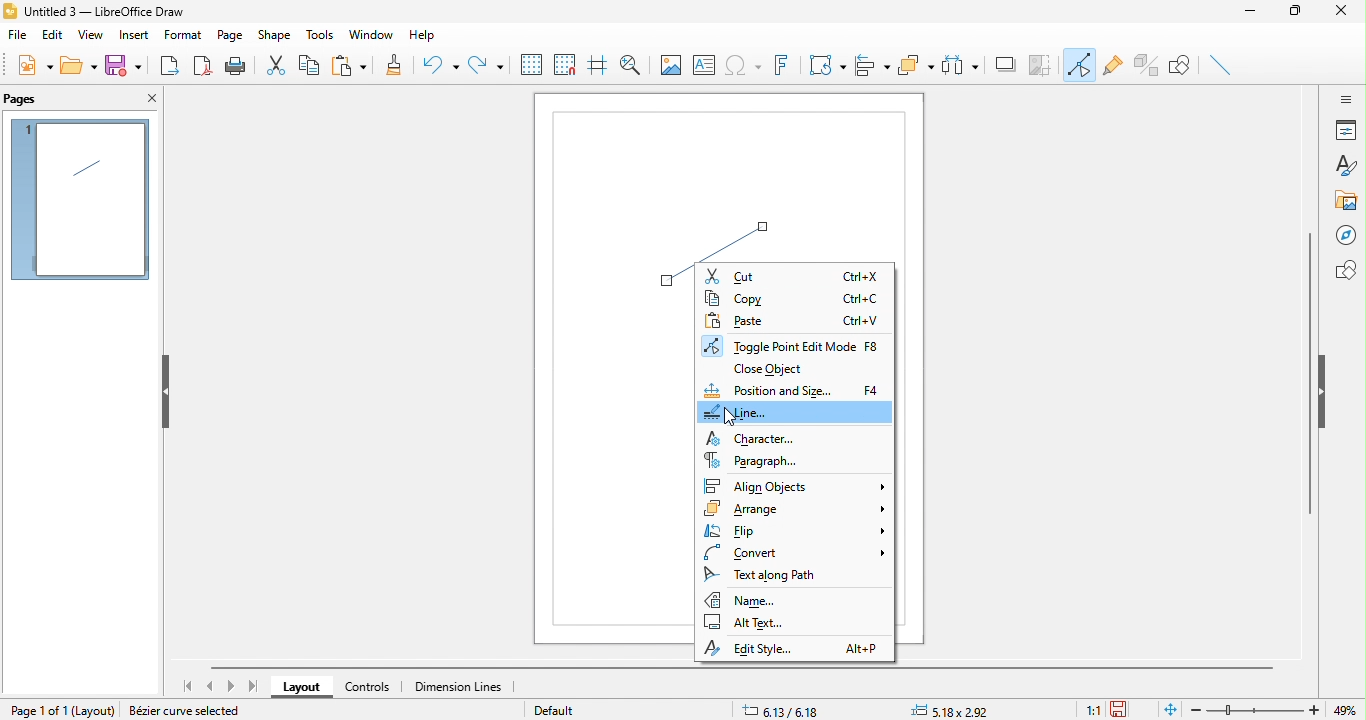 This screenshot has height=720, width=1366. I want to click on toggle extrusion, so click(1147, 64).